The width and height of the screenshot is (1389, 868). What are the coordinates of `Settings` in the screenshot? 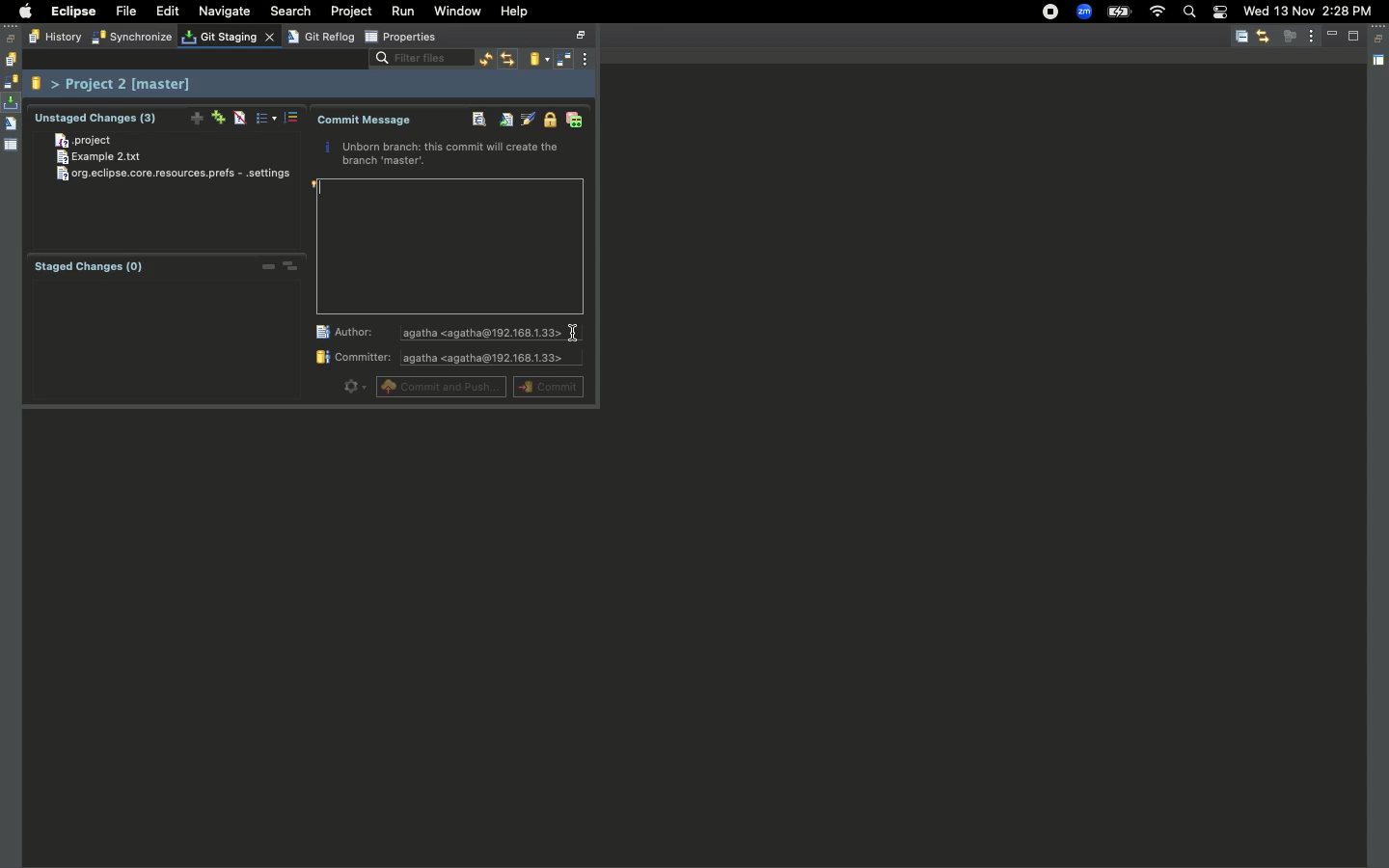 It's located at (352, 386).